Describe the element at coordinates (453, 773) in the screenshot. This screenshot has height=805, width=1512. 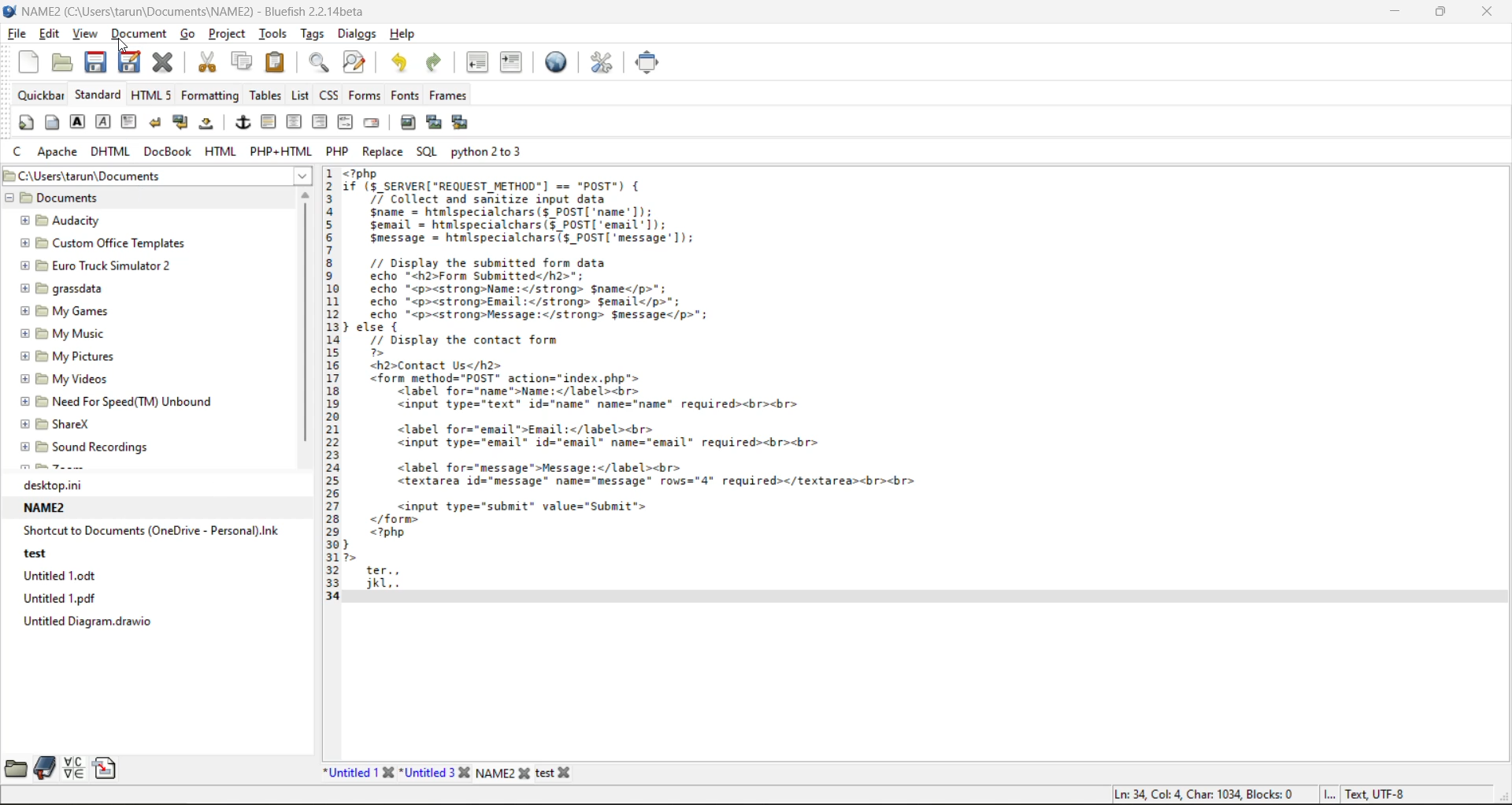
I see `file names` at that location.